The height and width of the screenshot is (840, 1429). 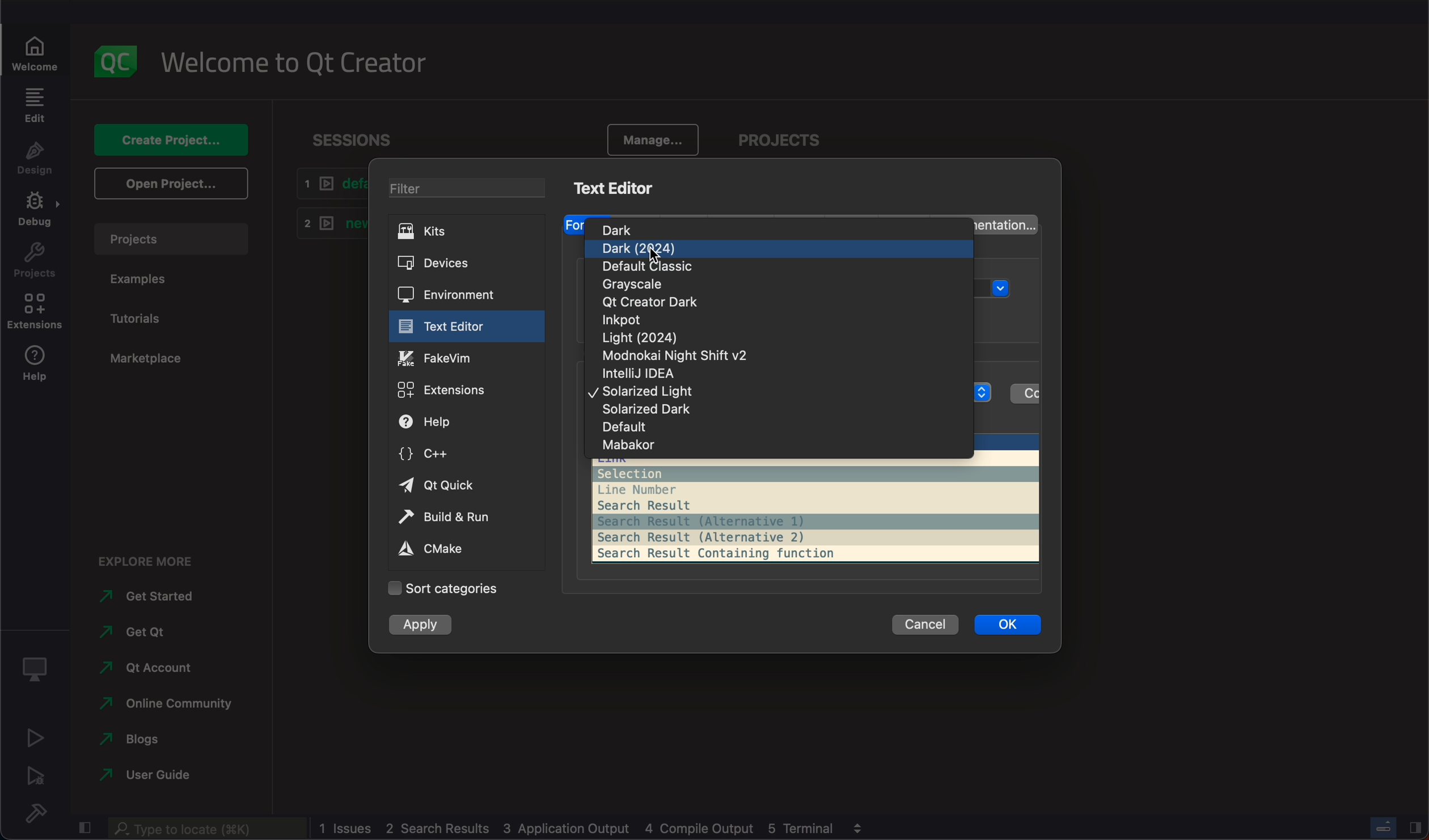 What do you see at coordinates (464, 424) in the screenshot?
I see `help` at bounding box center [464, 424].